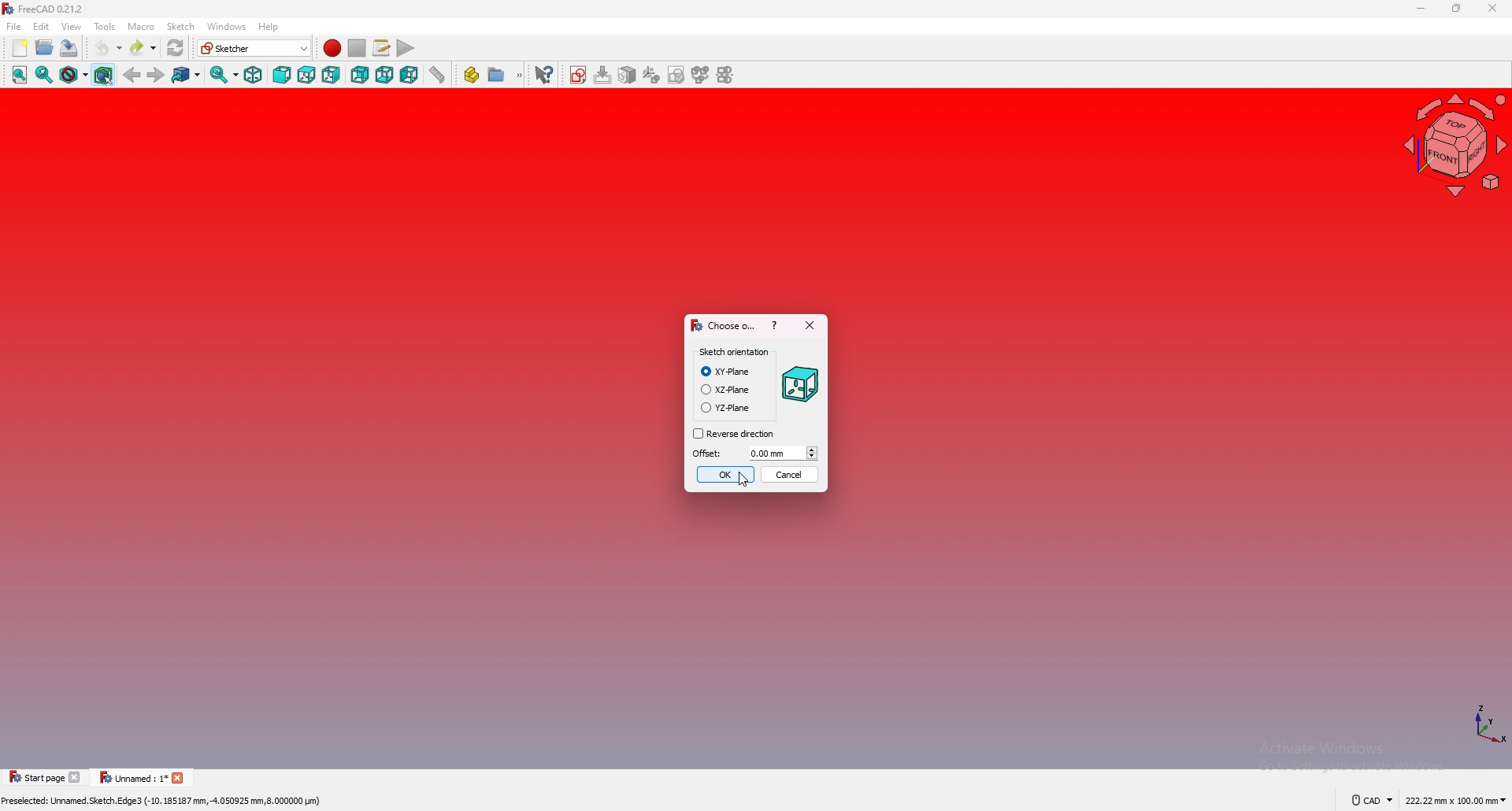 This screenshot has width=1512, height=811. I want to click on cursor, so click(743, 480).